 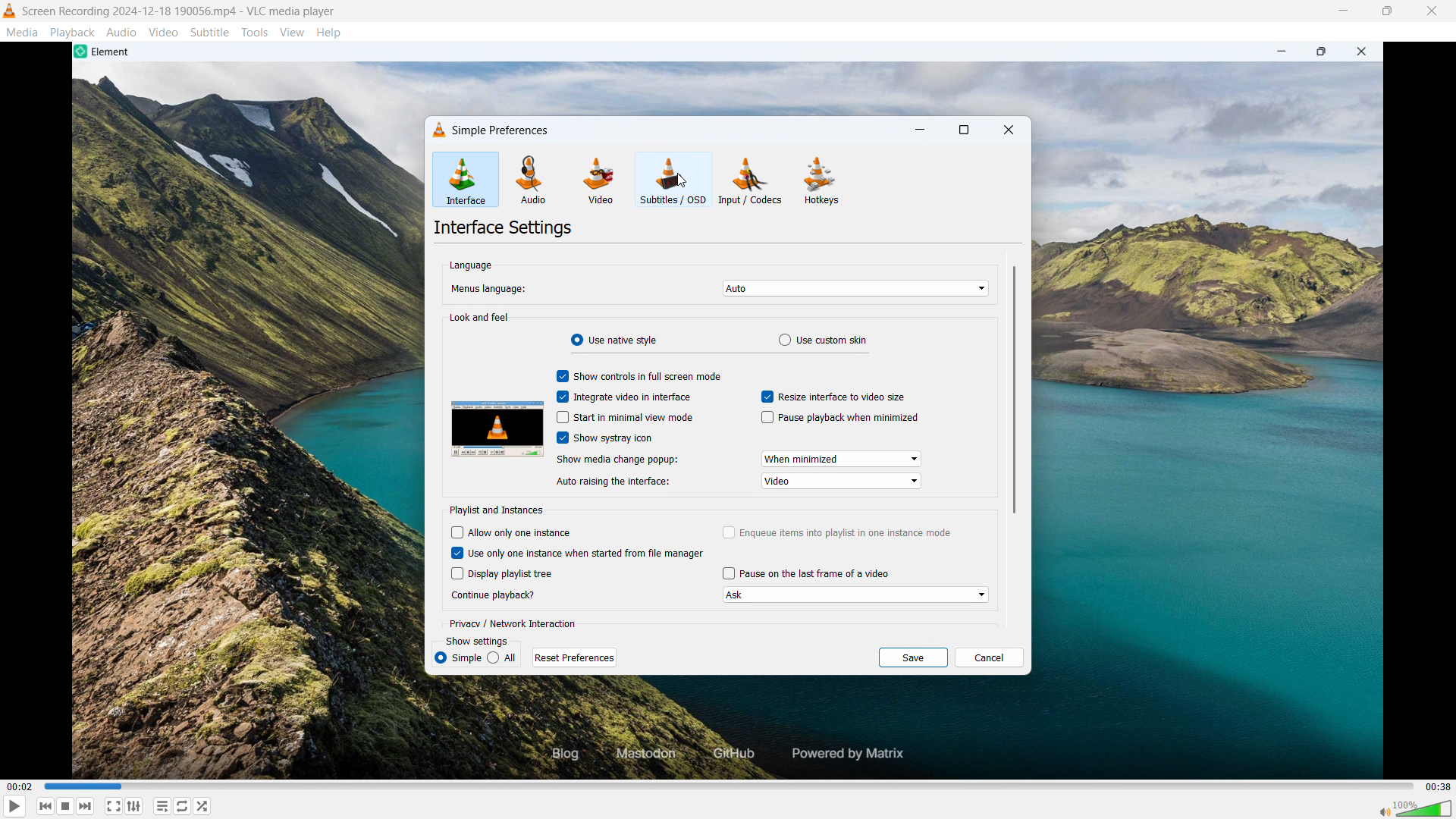 What do you see at coordinates (477, 642) in the screenshot?
I see `show settings` at bounding box center [477, 642].